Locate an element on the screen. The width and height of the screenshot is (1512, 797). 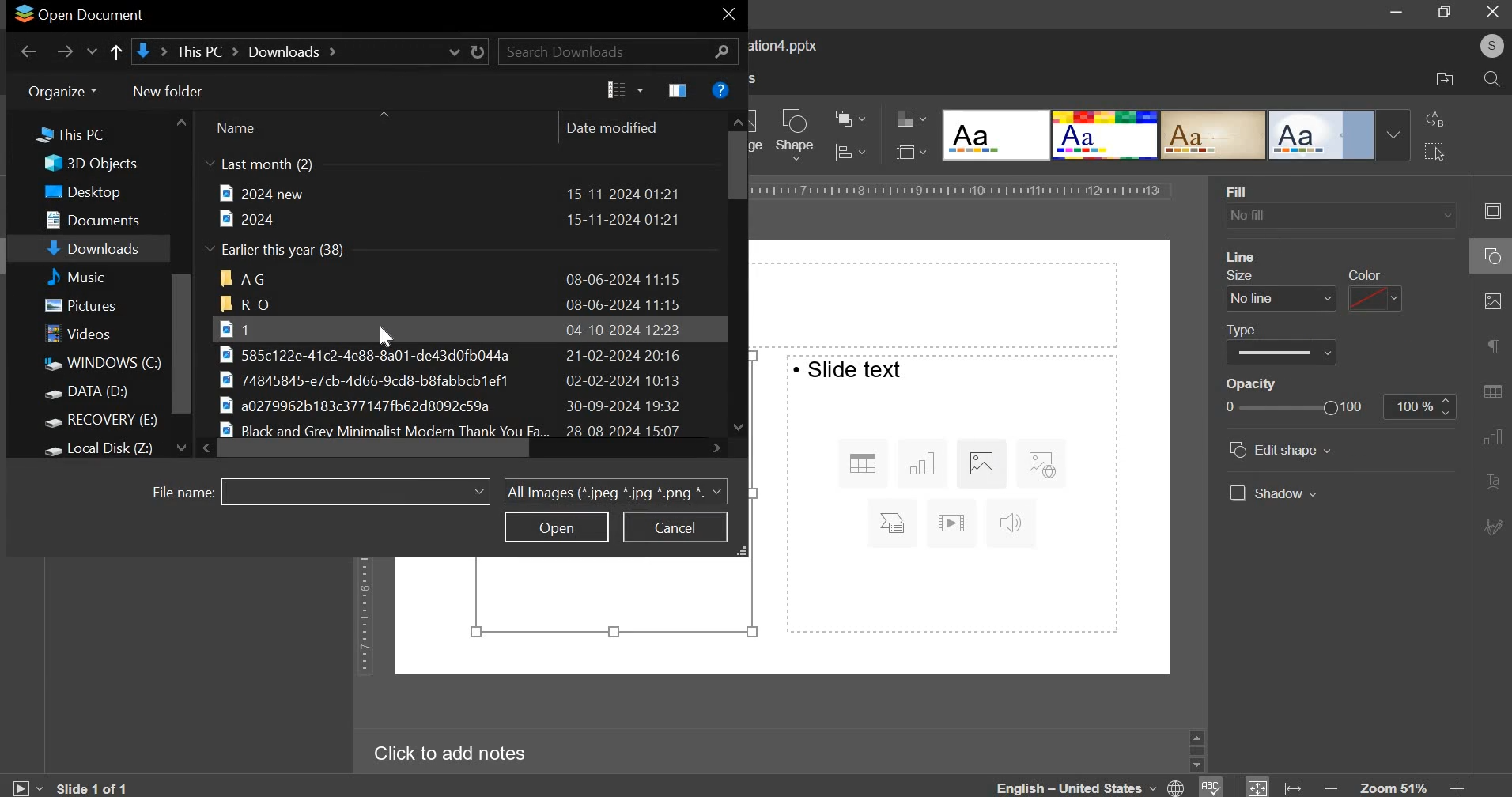
table setting is located at coordinates (1491, 387).